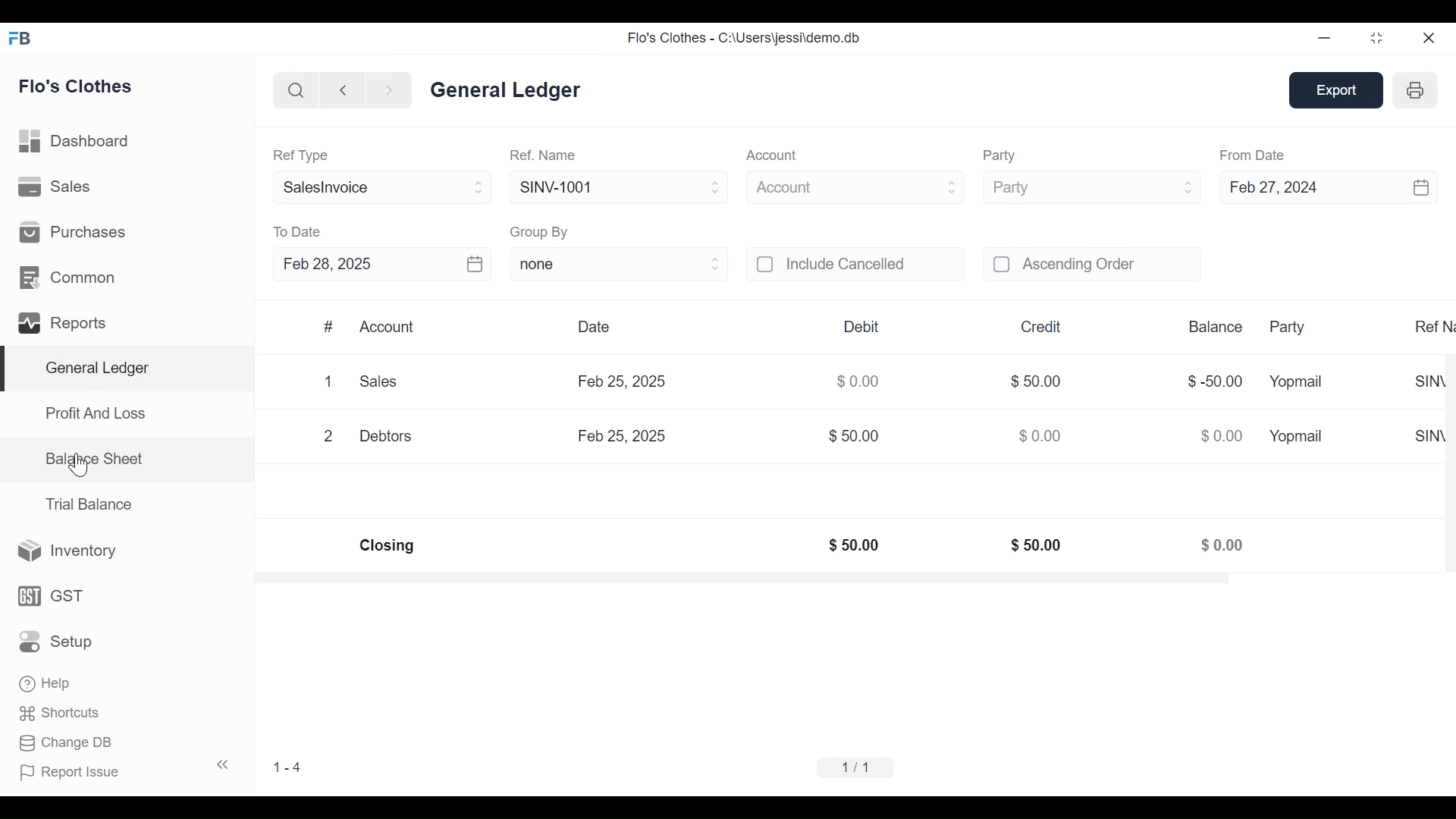 This screenshot has width=1456, height=819. What do you see at coordinates (803, 546) in the screenshot?
I see `Closing $50.00 $50.00 $0.00` at bounding box center [803, 546].